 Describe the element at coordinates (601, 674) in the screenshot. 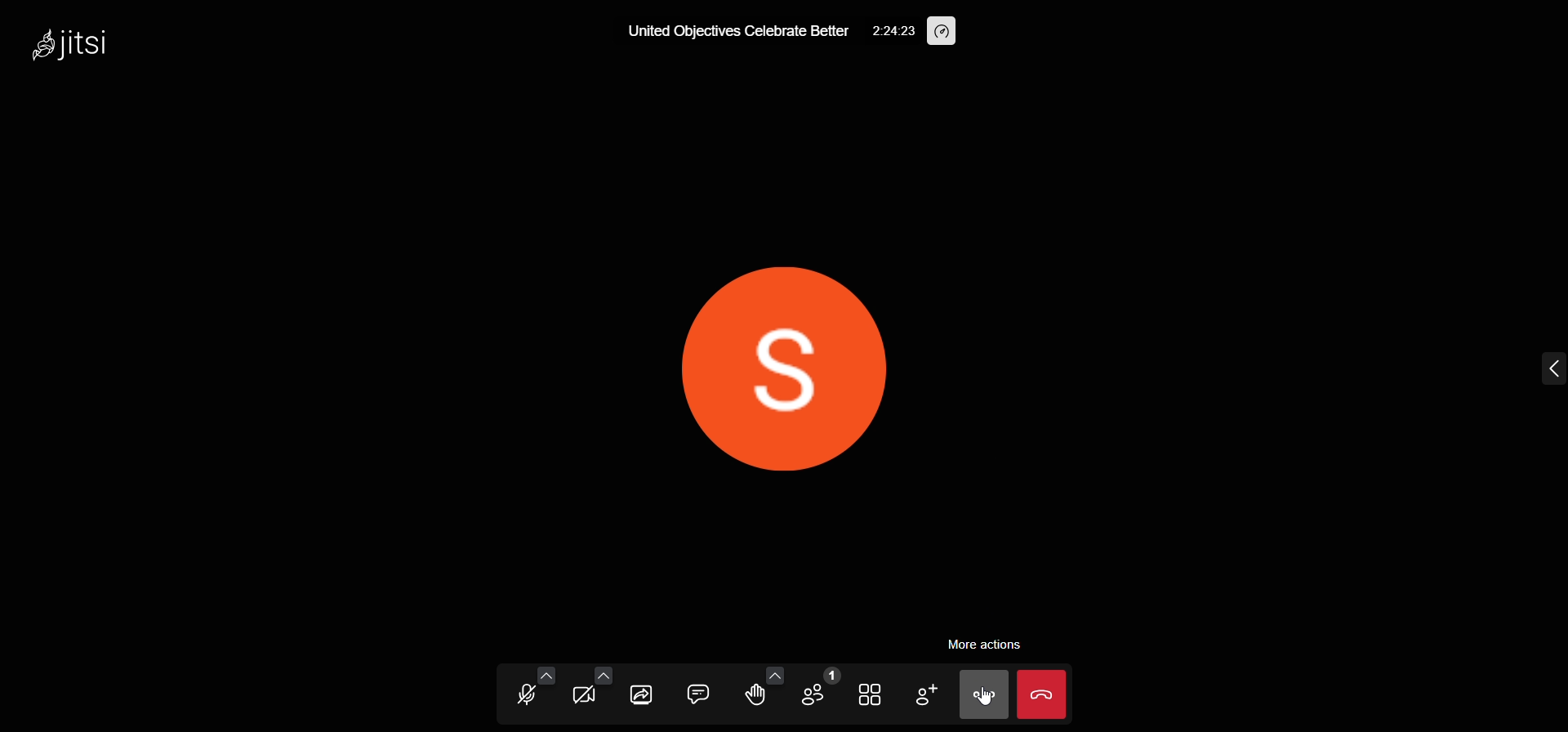

I see `more video options` at that location.